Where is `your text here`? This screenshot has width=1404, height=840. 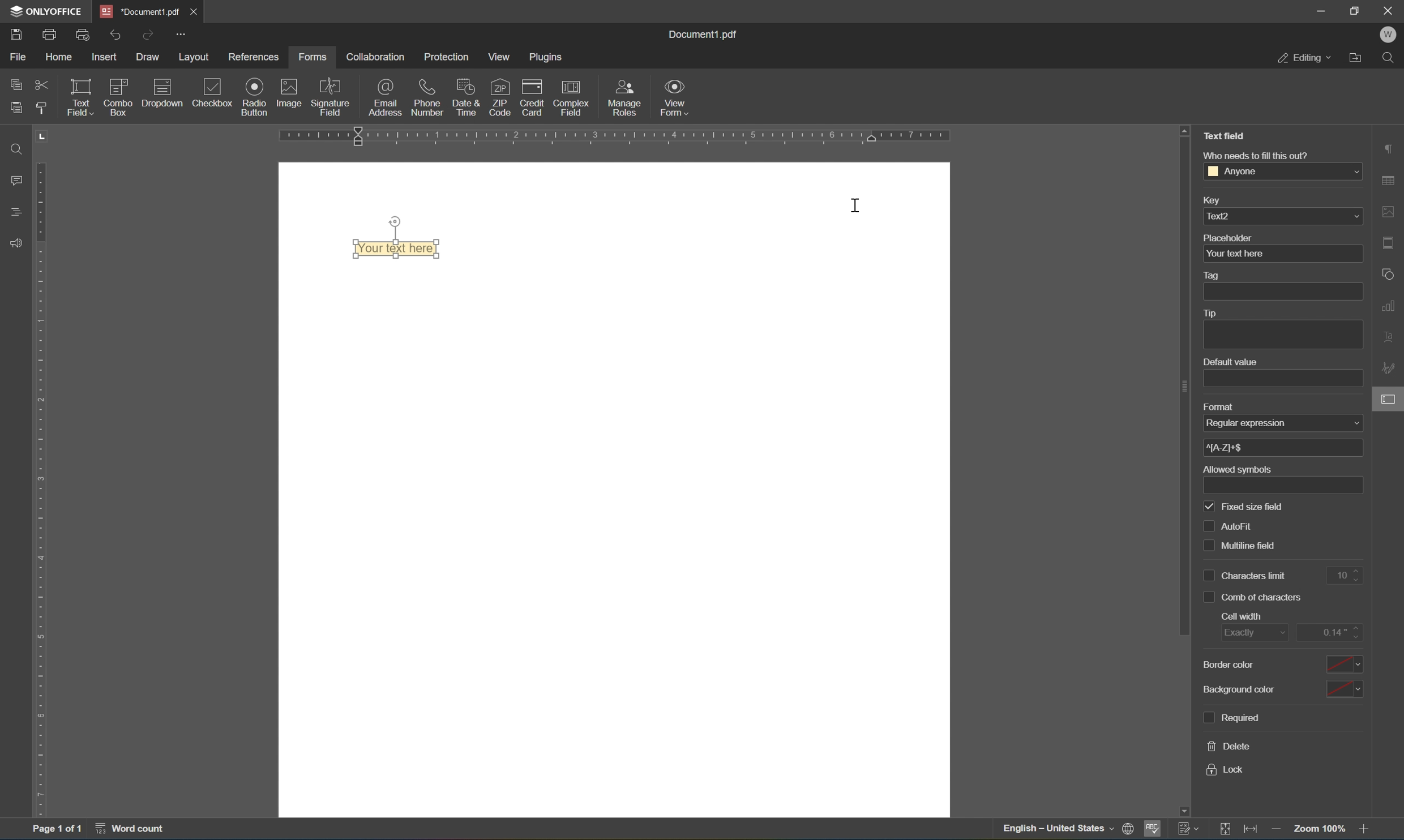 your text here is located at coordinates (1235, 254).